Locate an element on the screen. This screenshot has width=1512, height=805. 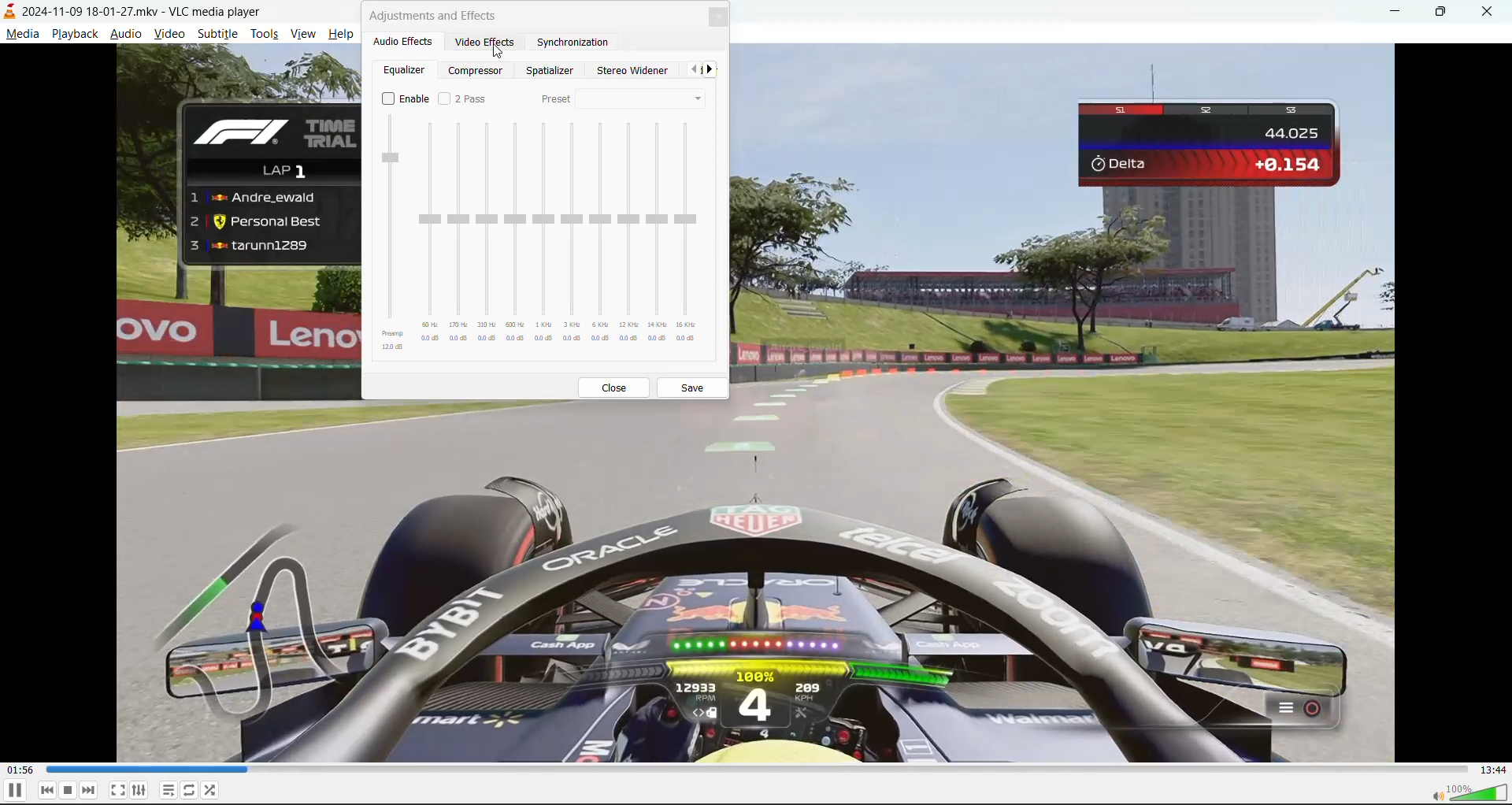
track slider is located at coordinates (754, 770).